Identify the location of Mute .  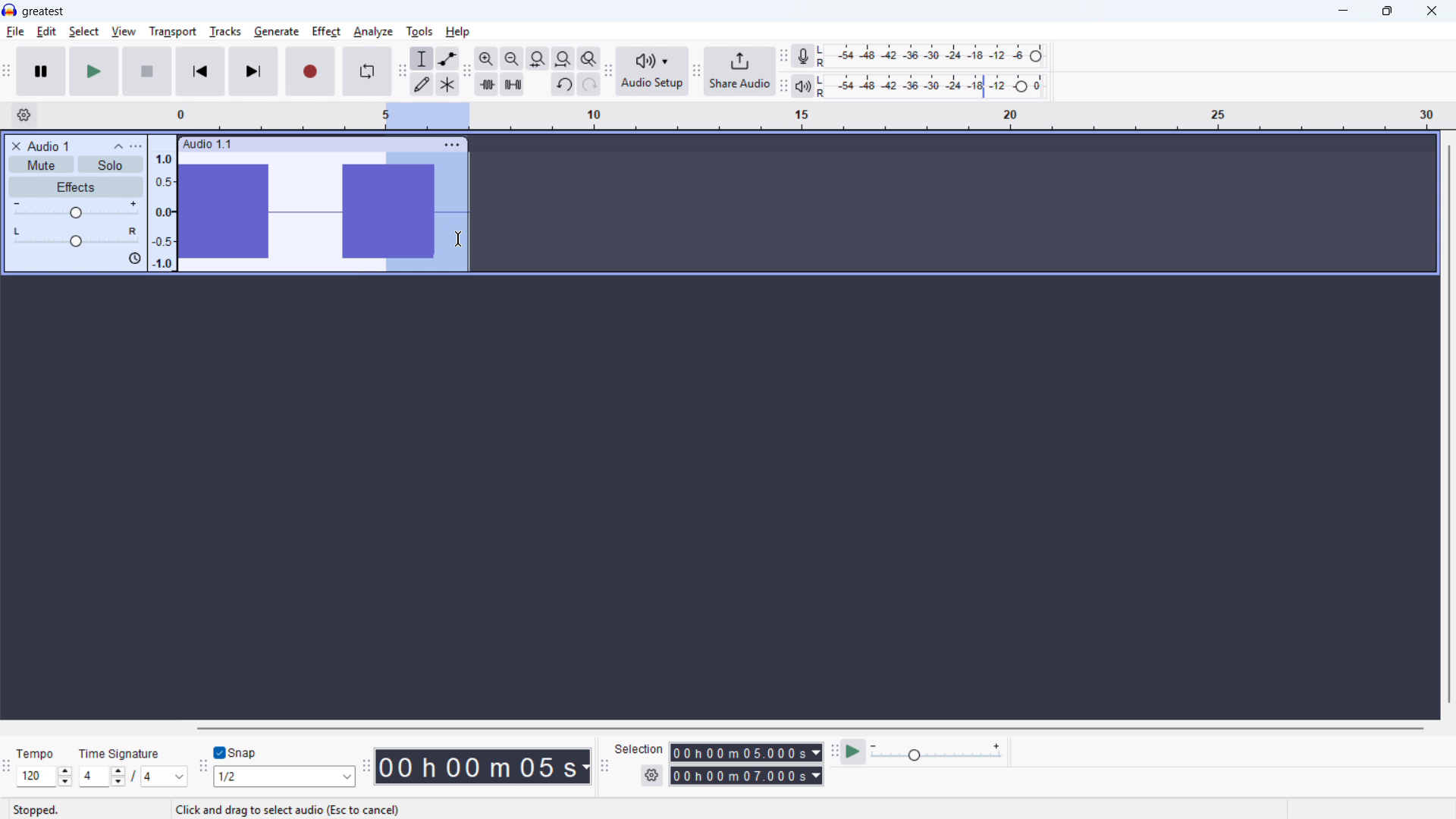
(41, 164).